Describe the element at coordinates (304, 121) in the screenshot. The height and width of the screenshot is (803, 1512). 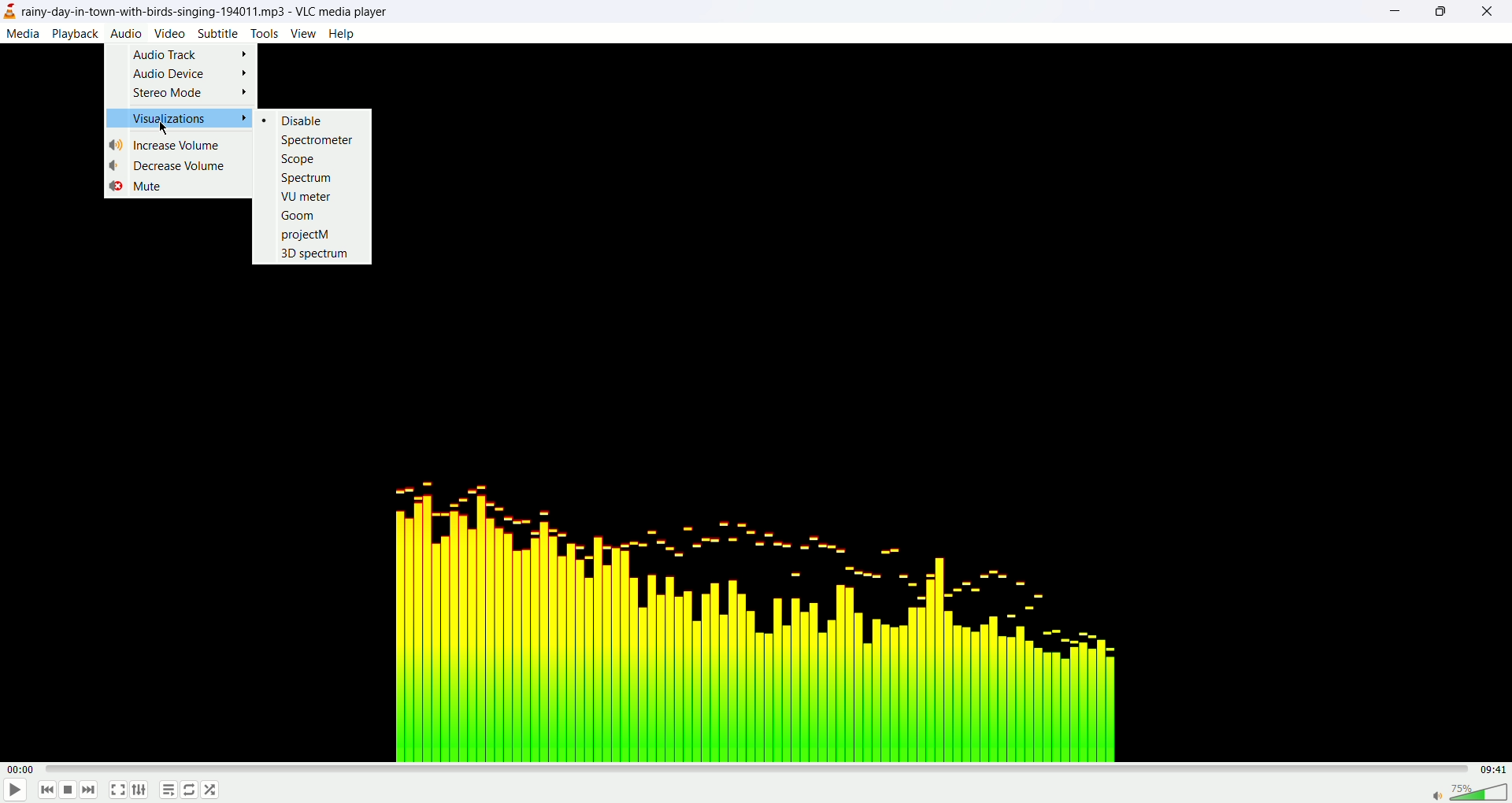
I see `disable` at that location.